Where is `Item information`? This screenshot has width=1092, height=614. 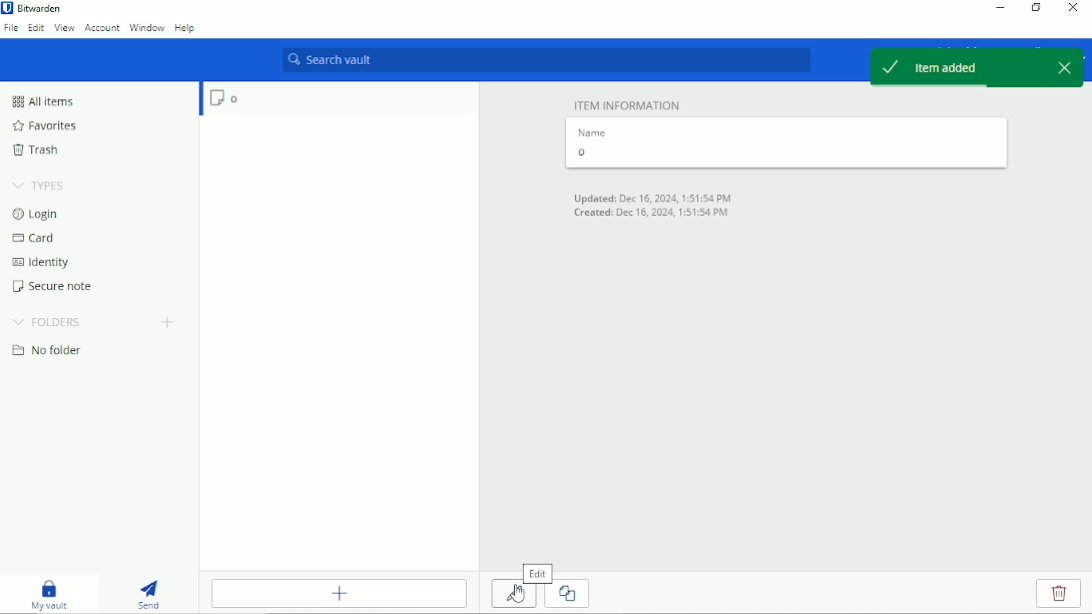
Item information is located at coordinates (627, 103).